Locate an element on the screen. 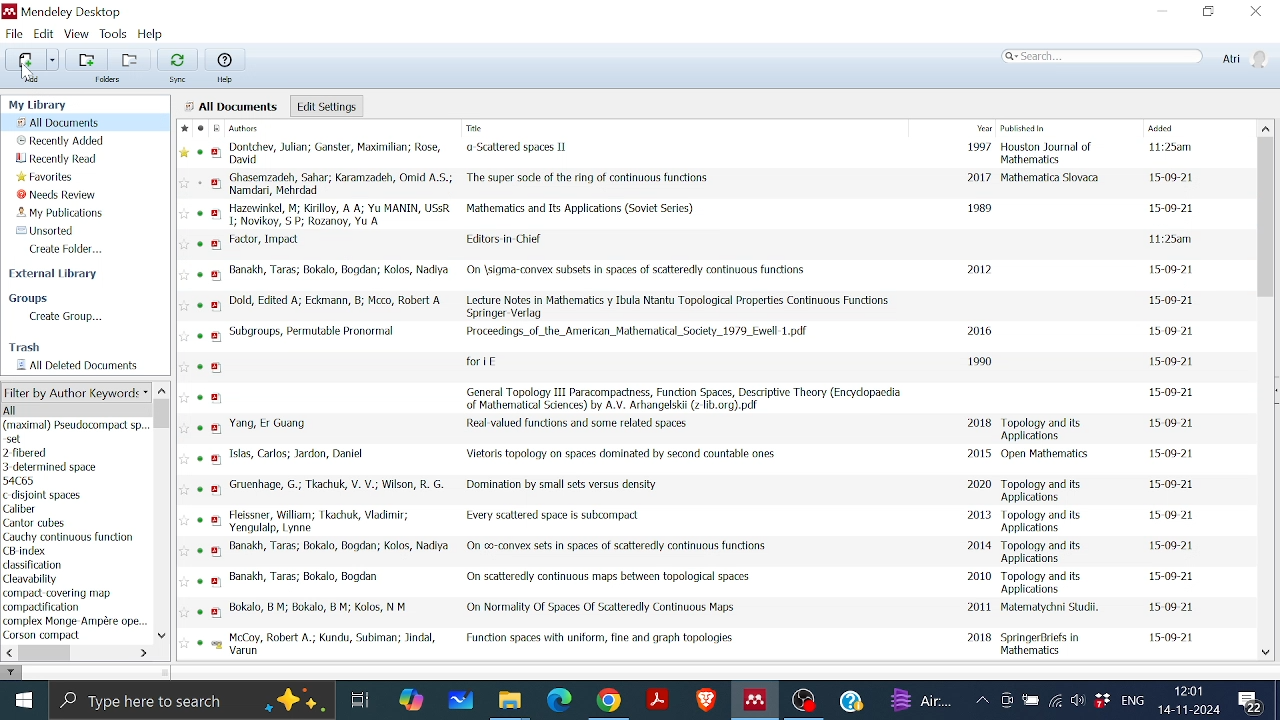 Image resolution: width=1280 pixels, height=720 pixels. Folders is located at coordinates (106, 79).